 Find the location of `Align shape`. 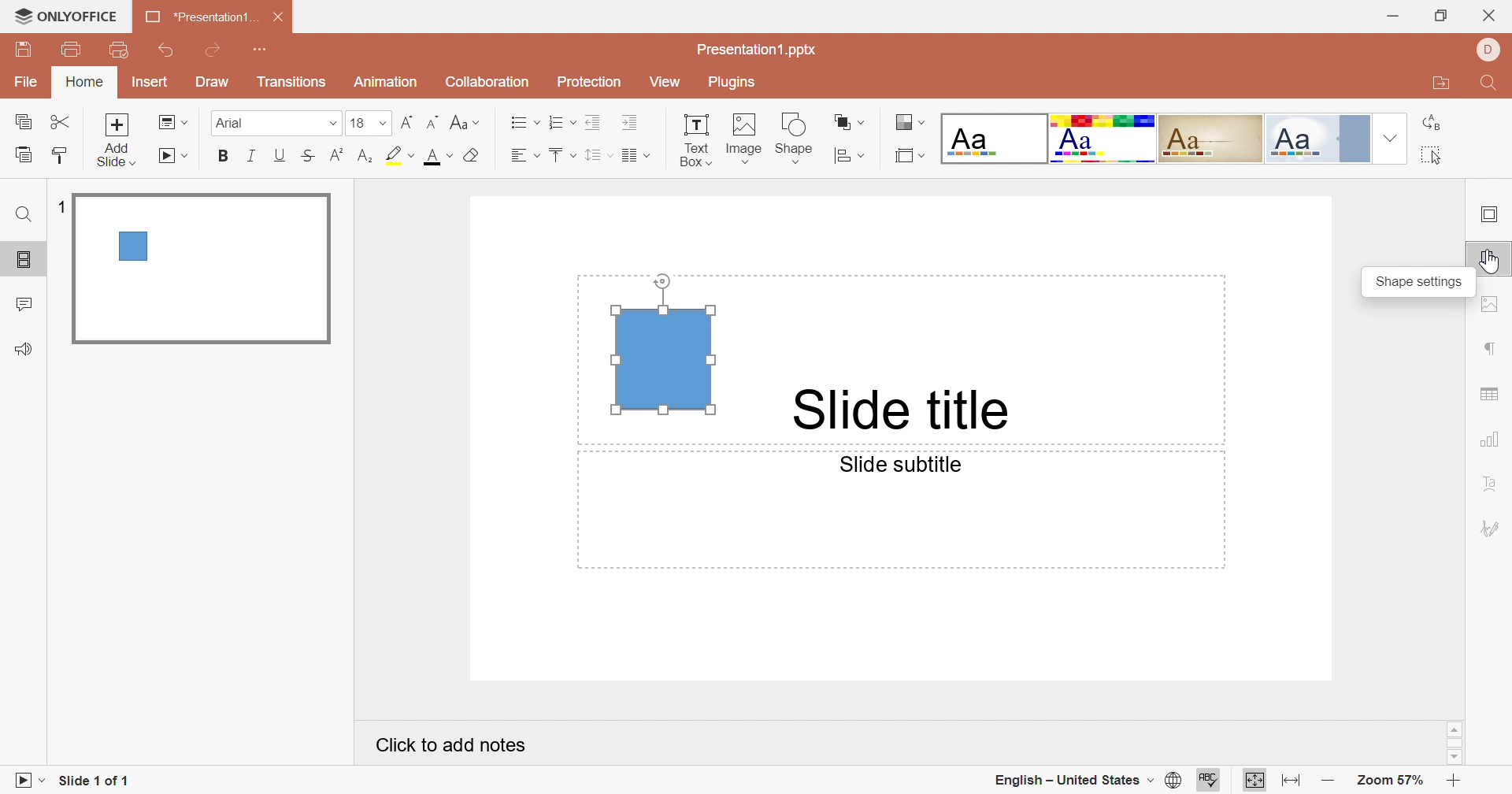

Align shape is located at coordinates (850, 157).